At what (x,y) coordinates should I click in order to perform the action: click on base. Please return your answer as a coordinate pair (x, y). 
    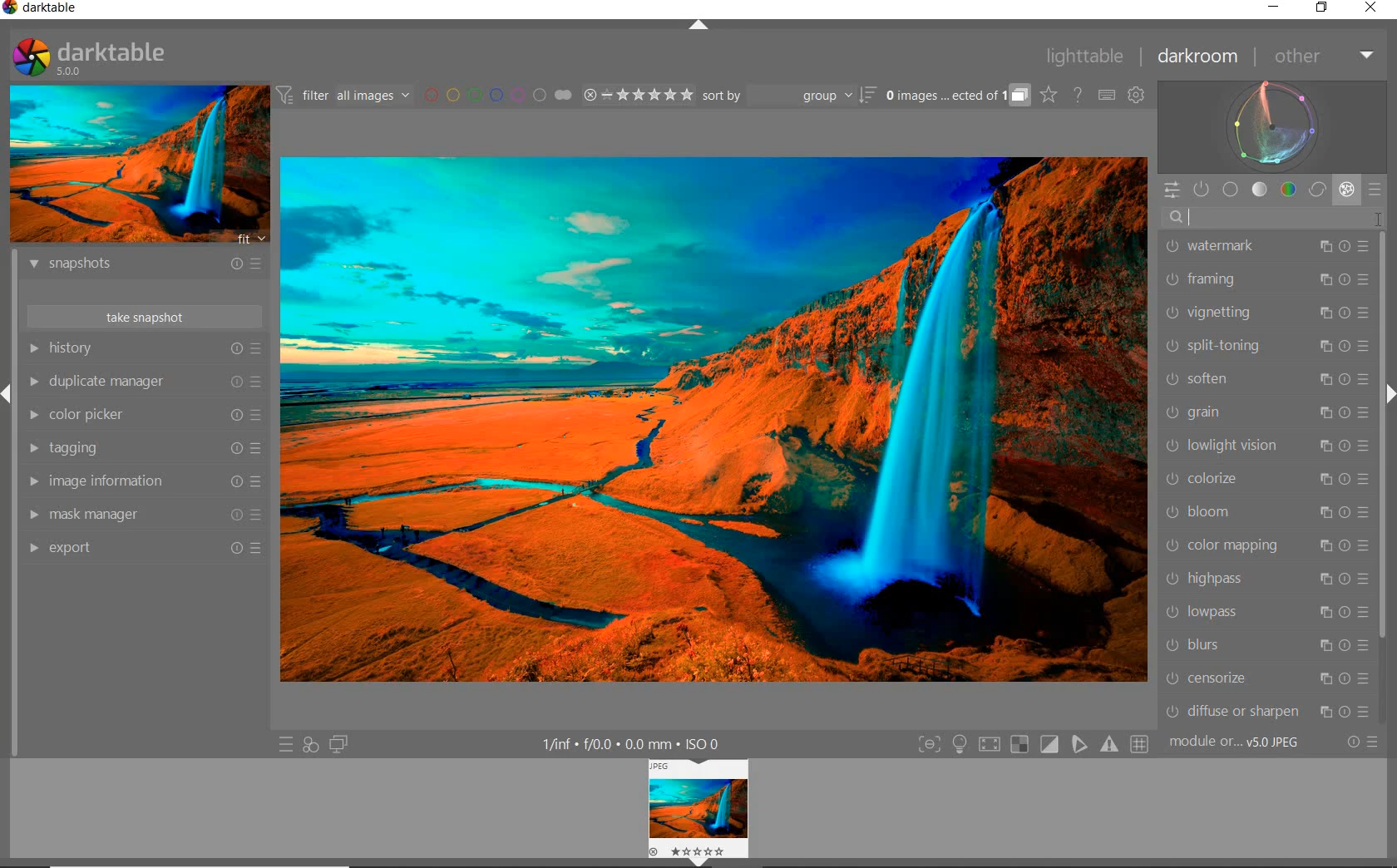
    Looking at the image, I should click on (1232, 189).